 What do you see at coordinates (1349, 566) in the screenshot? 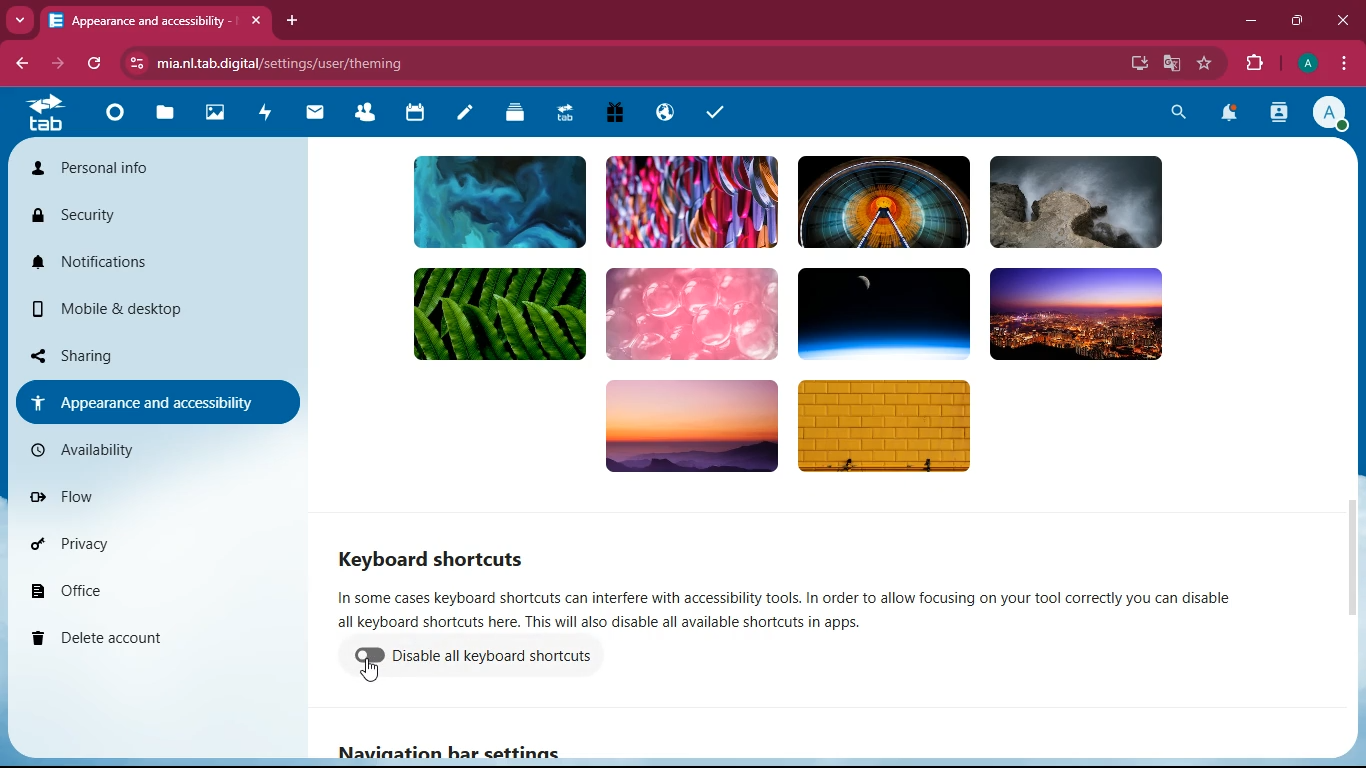
I see `scroll bar` at bounding box center [1349, 566].